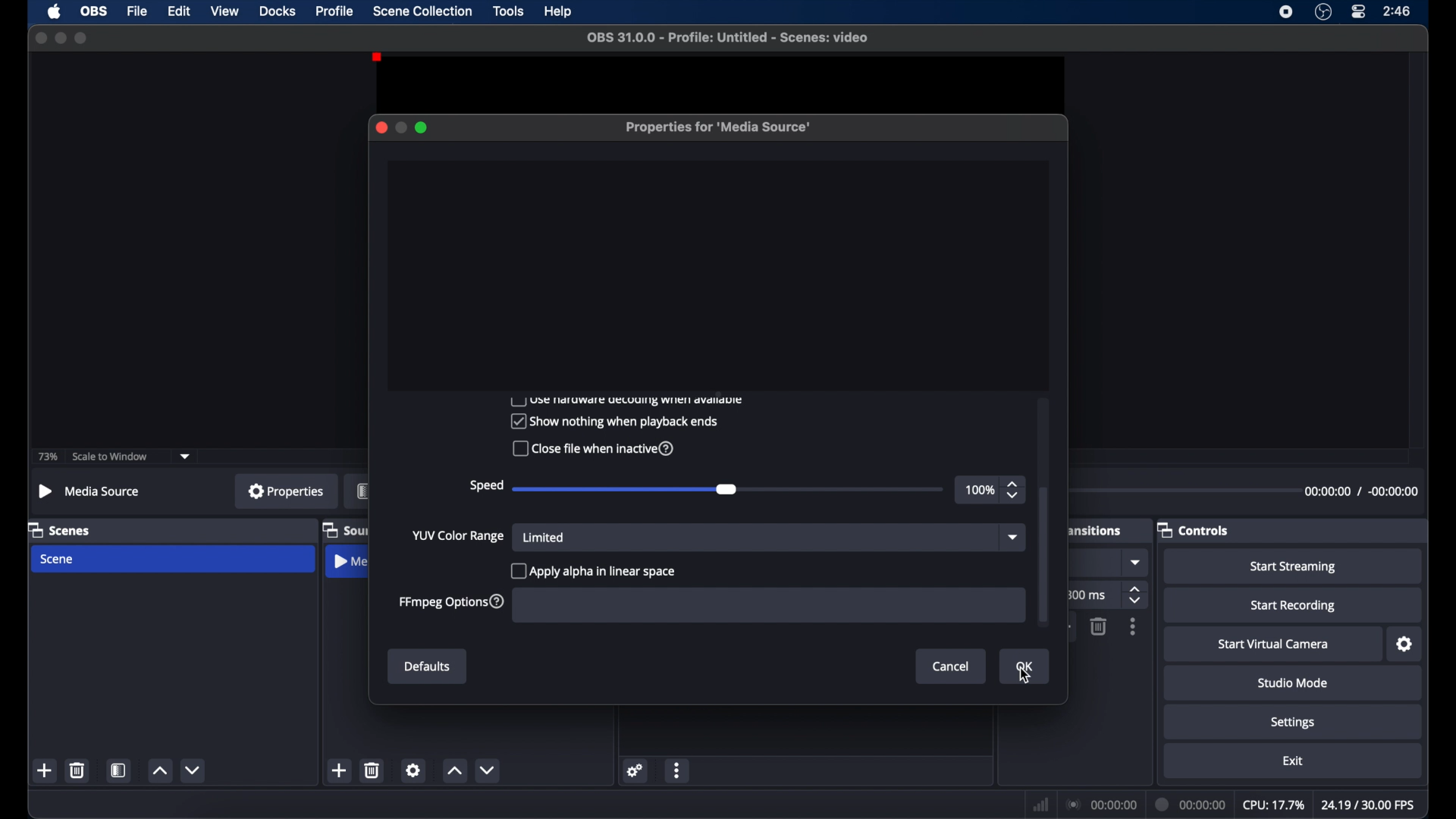  Describe the element at coordinates (1293, 722) in the screenshot. I see `settings` at that location.